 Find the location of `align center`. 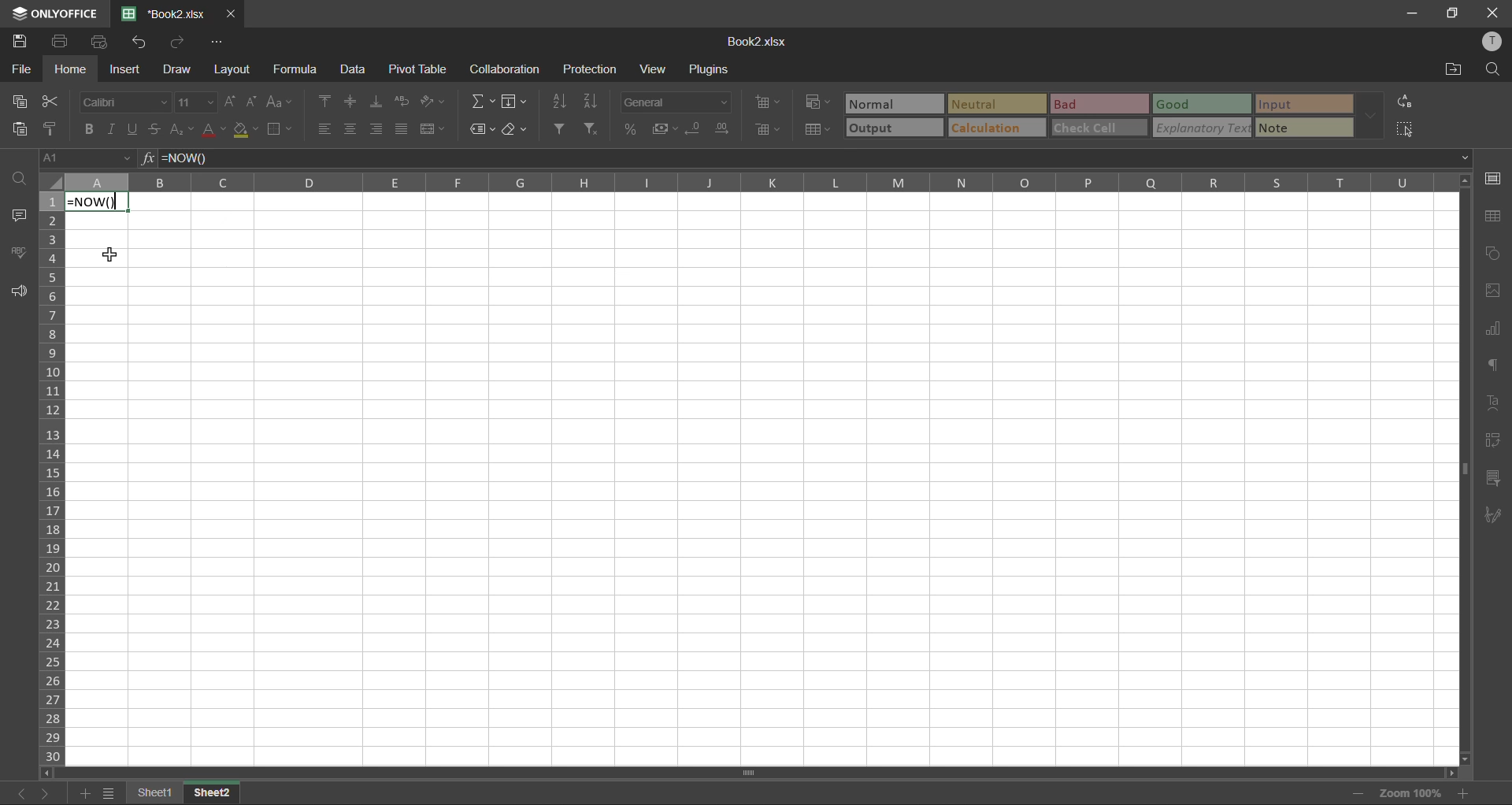

align center is located at coordinates (350, 127).